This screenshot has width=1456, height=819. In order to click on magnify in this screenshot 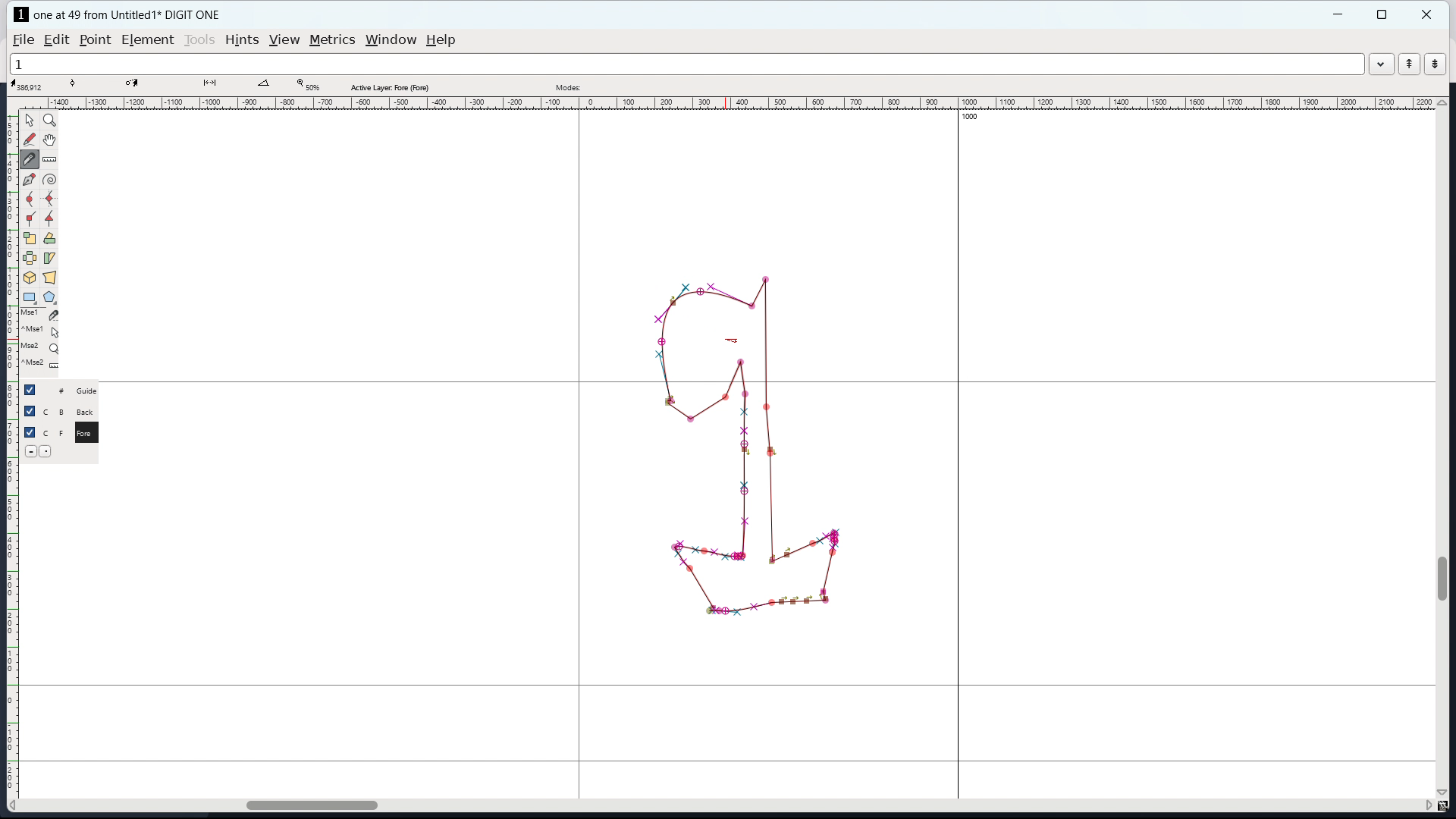, I will do `click(50, 120)`.